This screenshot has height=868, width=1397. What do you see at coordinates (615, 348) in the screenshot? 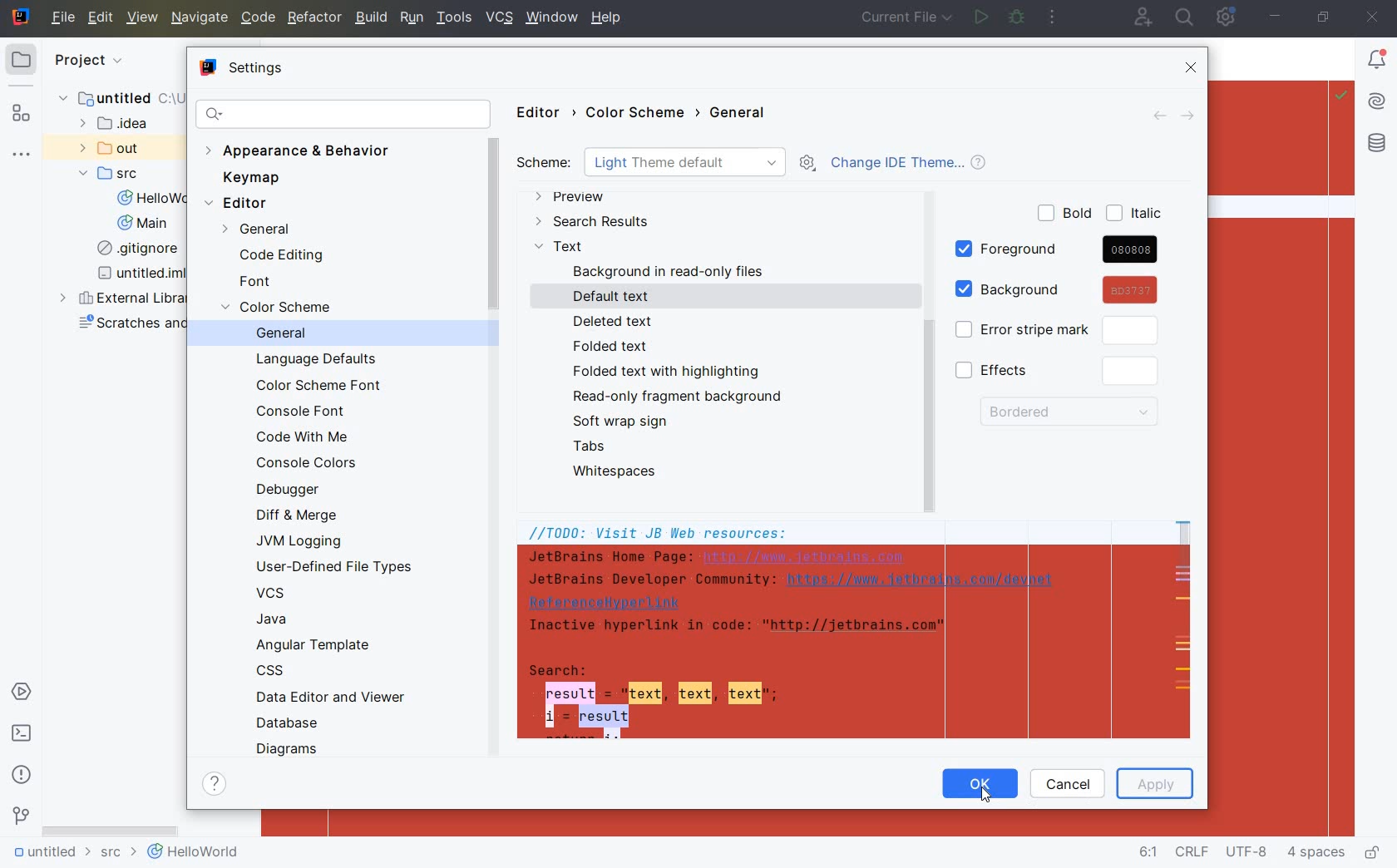
I see `FOLDED TEXT` at bounding box center [615, 348].